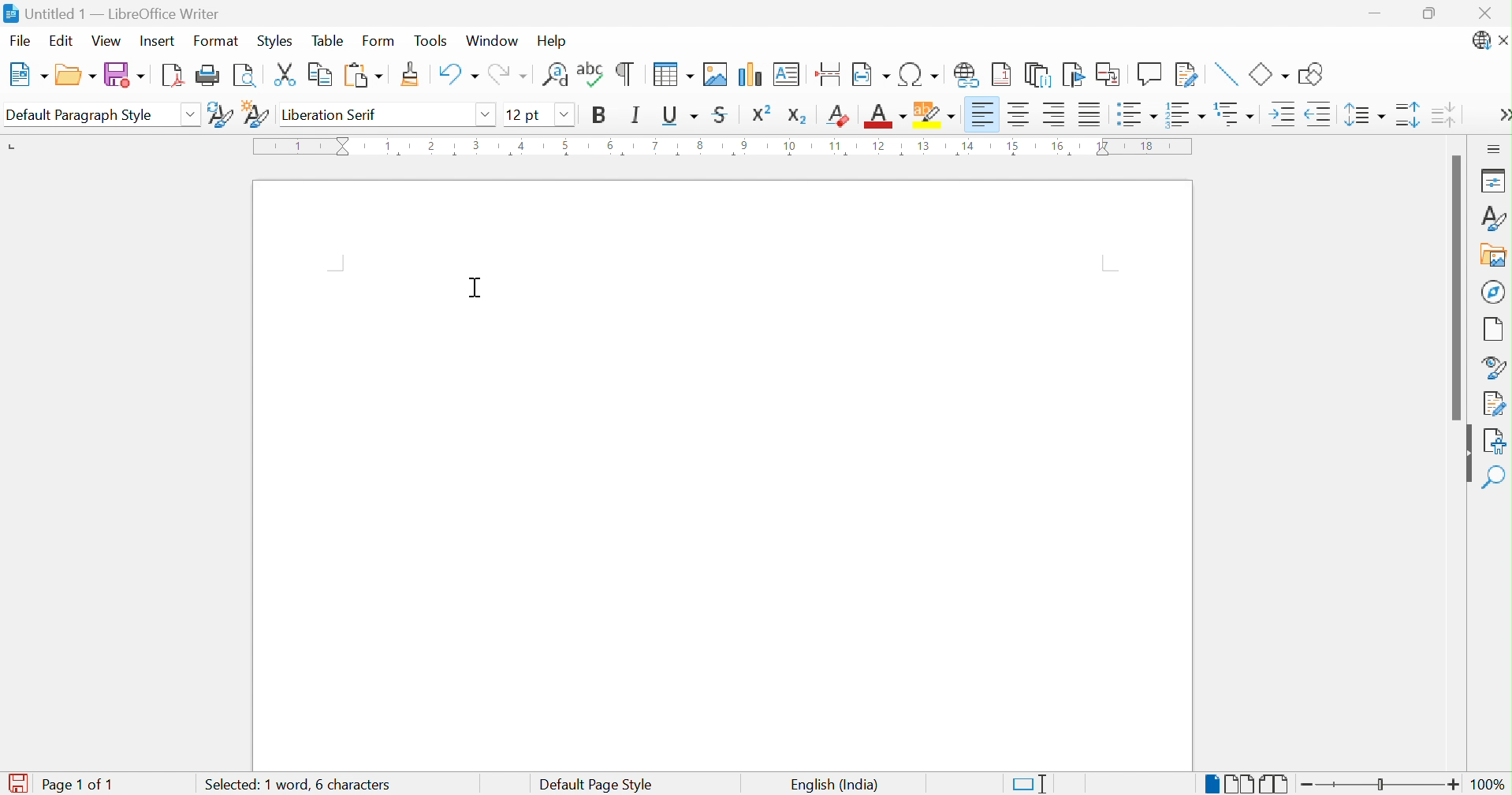 This screenshot has width=1512, height=795. I want to click on Table, so click(328, 40).